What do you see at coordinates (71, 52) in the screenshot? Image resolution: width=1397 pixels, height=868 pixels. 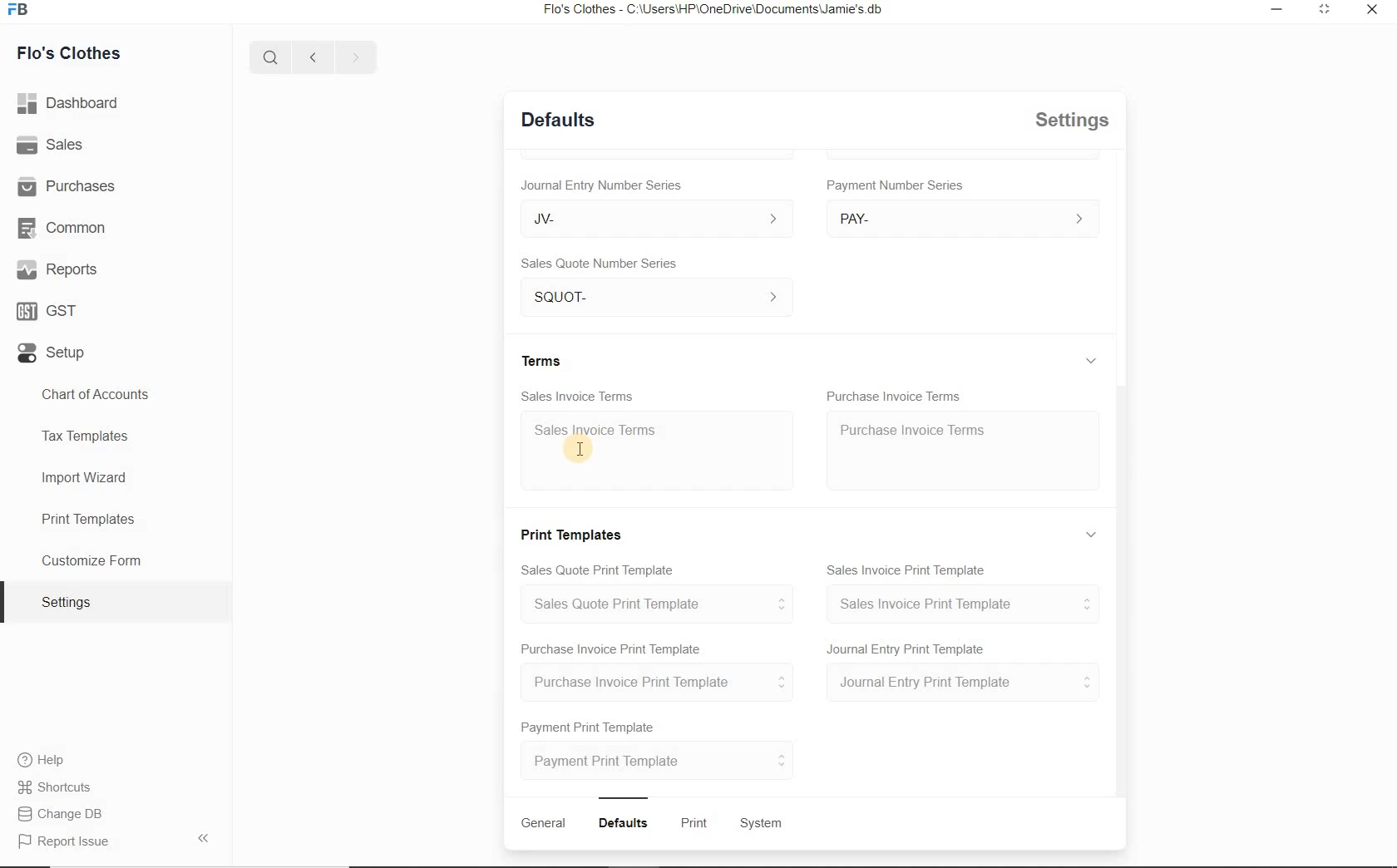 I see `Flo's Clothes` at bounding box center [71, 52].